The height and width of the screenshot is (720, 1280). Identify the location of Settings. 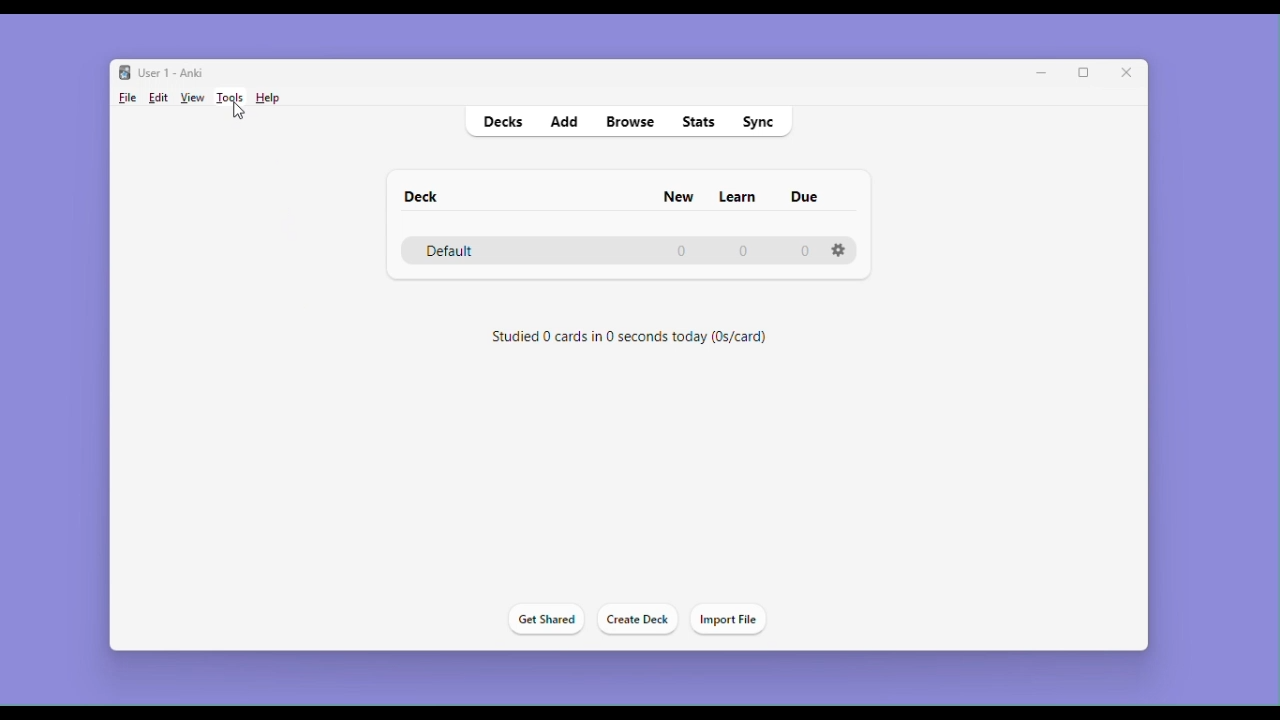
(840, 250).